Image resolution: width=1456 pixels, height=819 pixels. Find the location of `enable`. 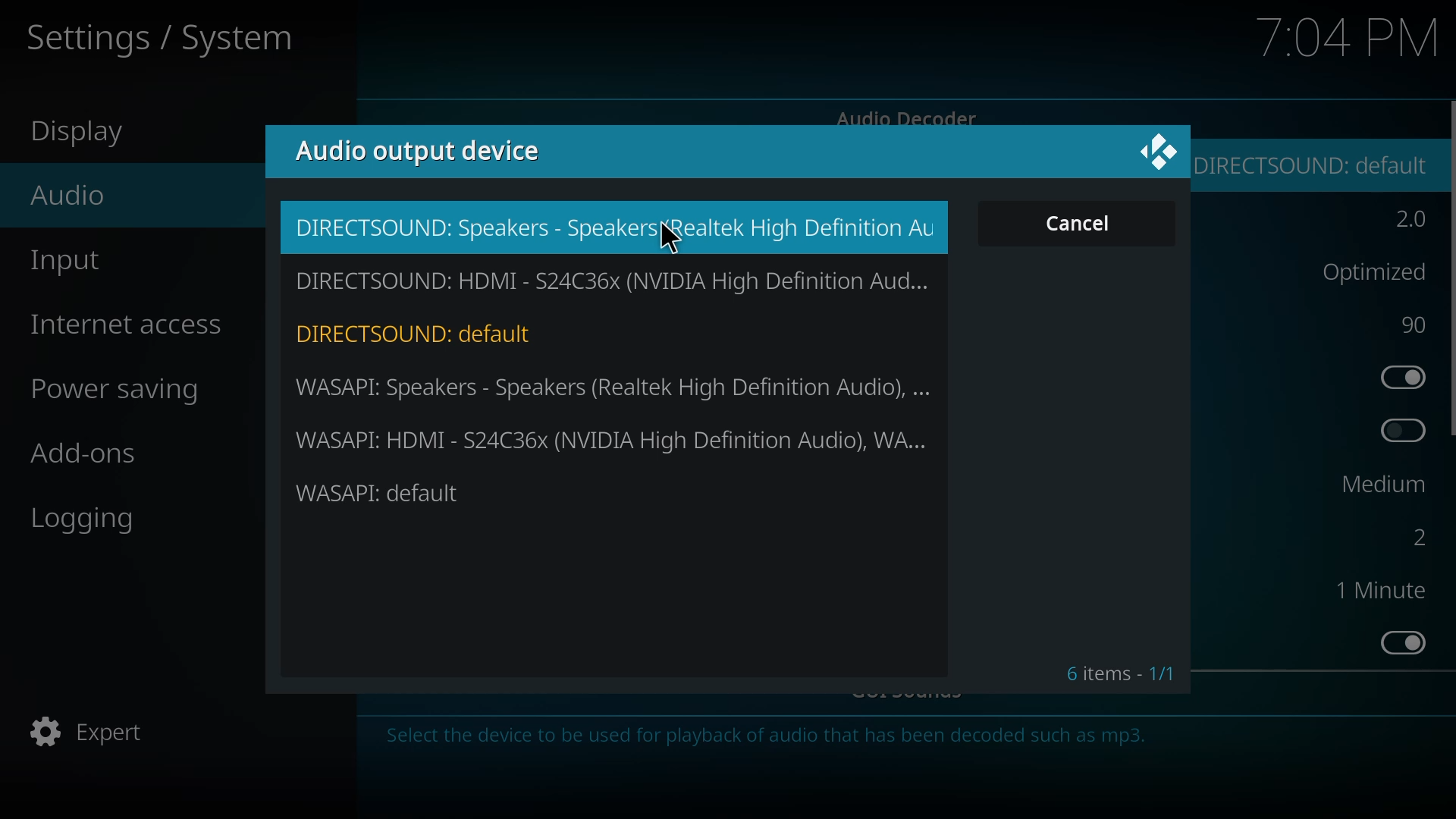

enable is located at coordinates (1404, 642).